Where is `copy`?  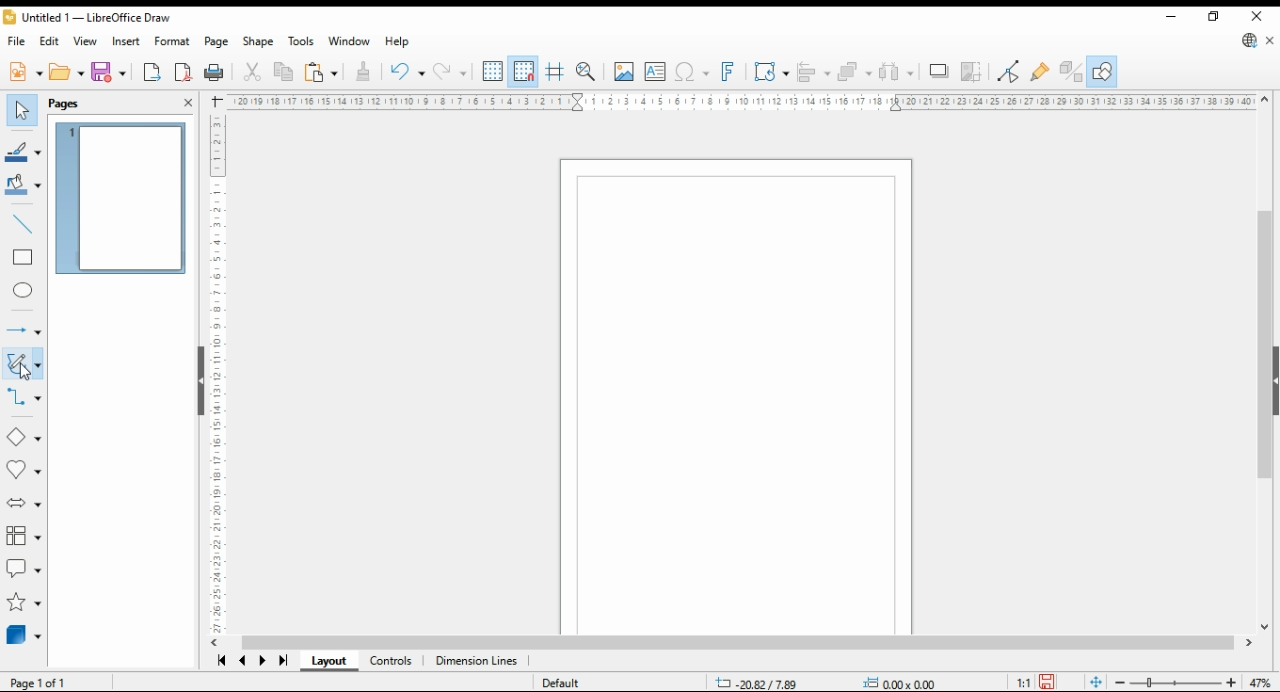 copy is located at coordinates (285, 71).